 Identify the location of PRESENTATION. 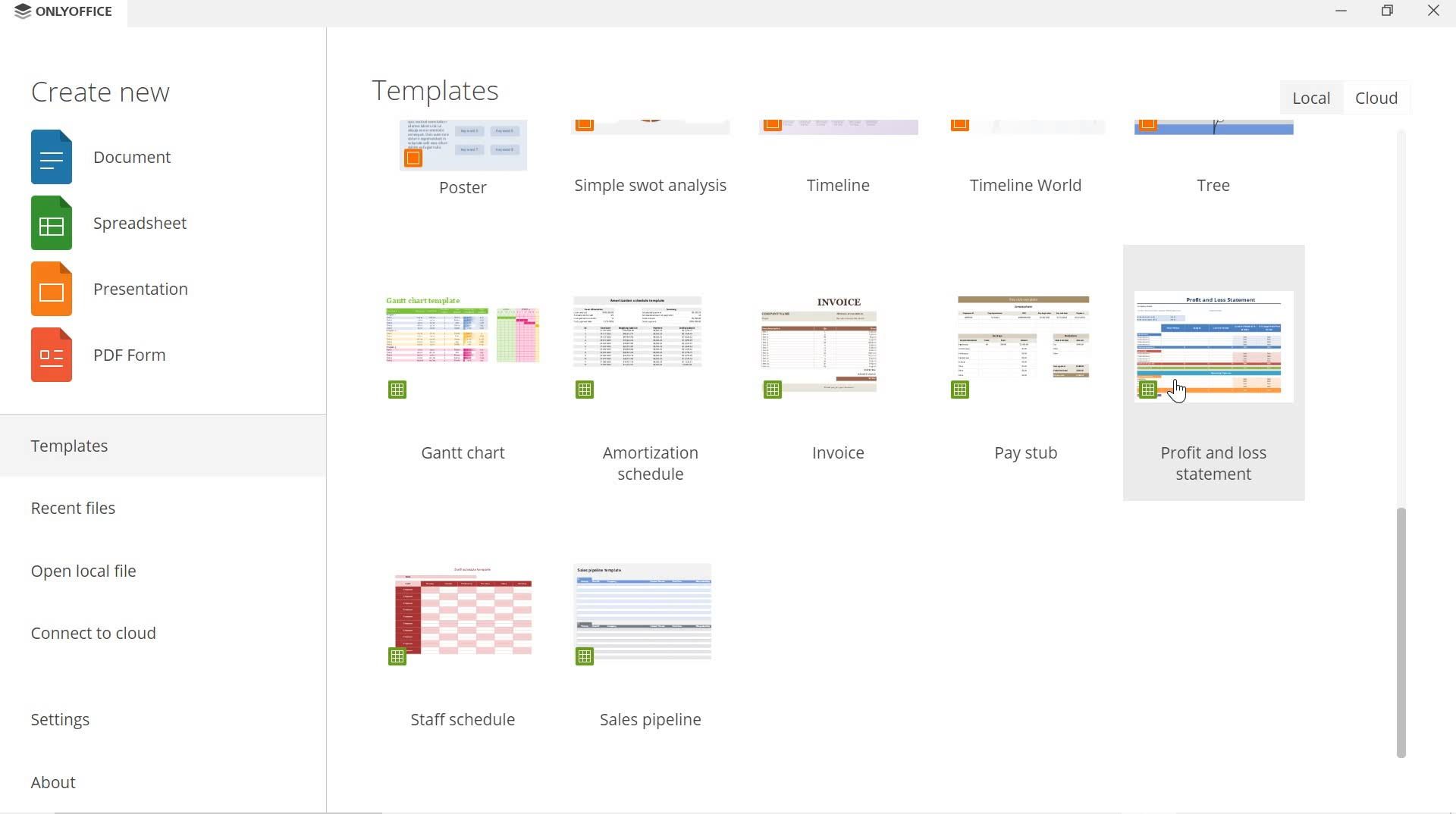
(106, 290).